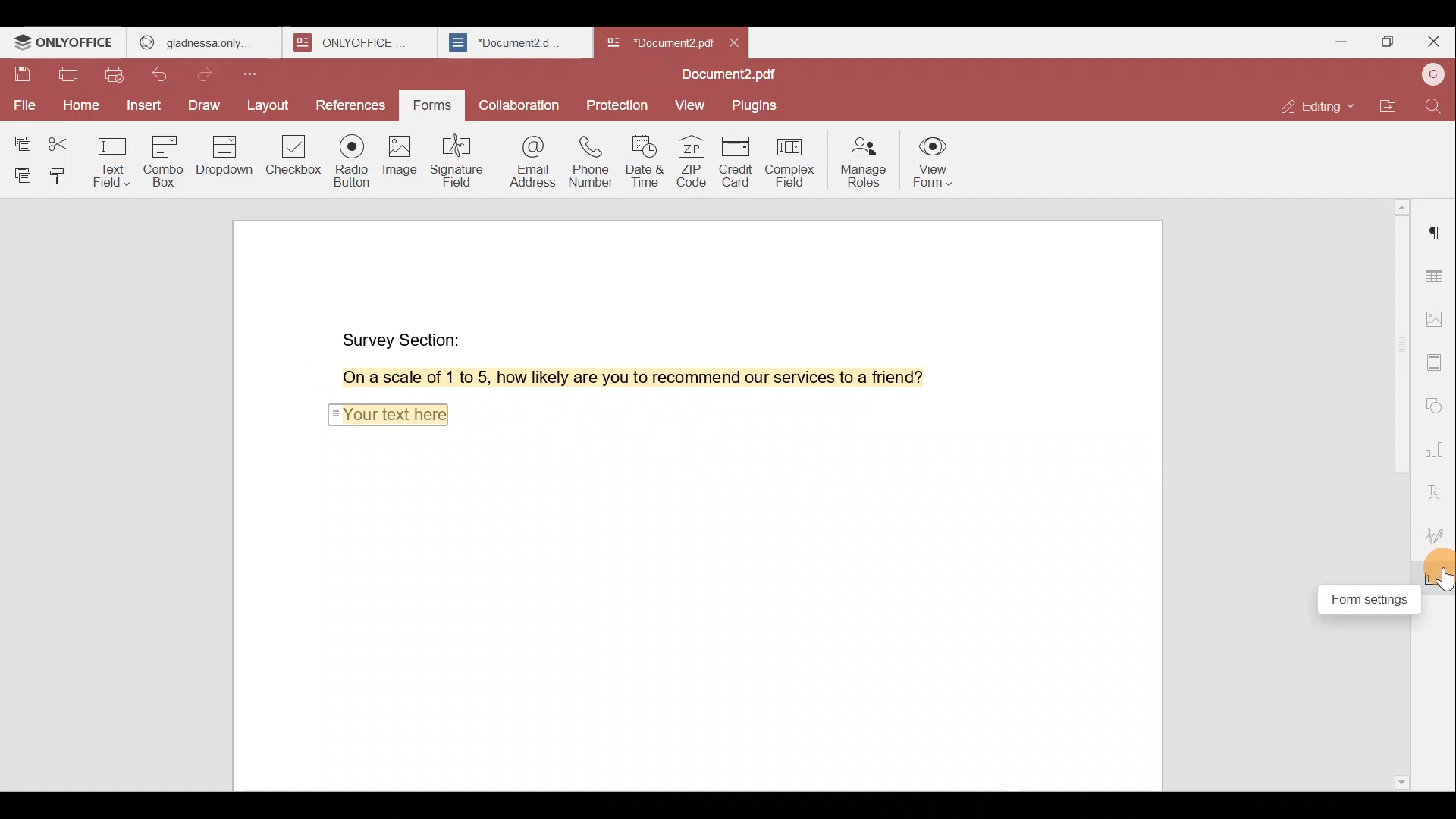  What do you see at coordinates (116, 77) in the screenshot?
I see `Quick print` at bounding box center [116, 77].